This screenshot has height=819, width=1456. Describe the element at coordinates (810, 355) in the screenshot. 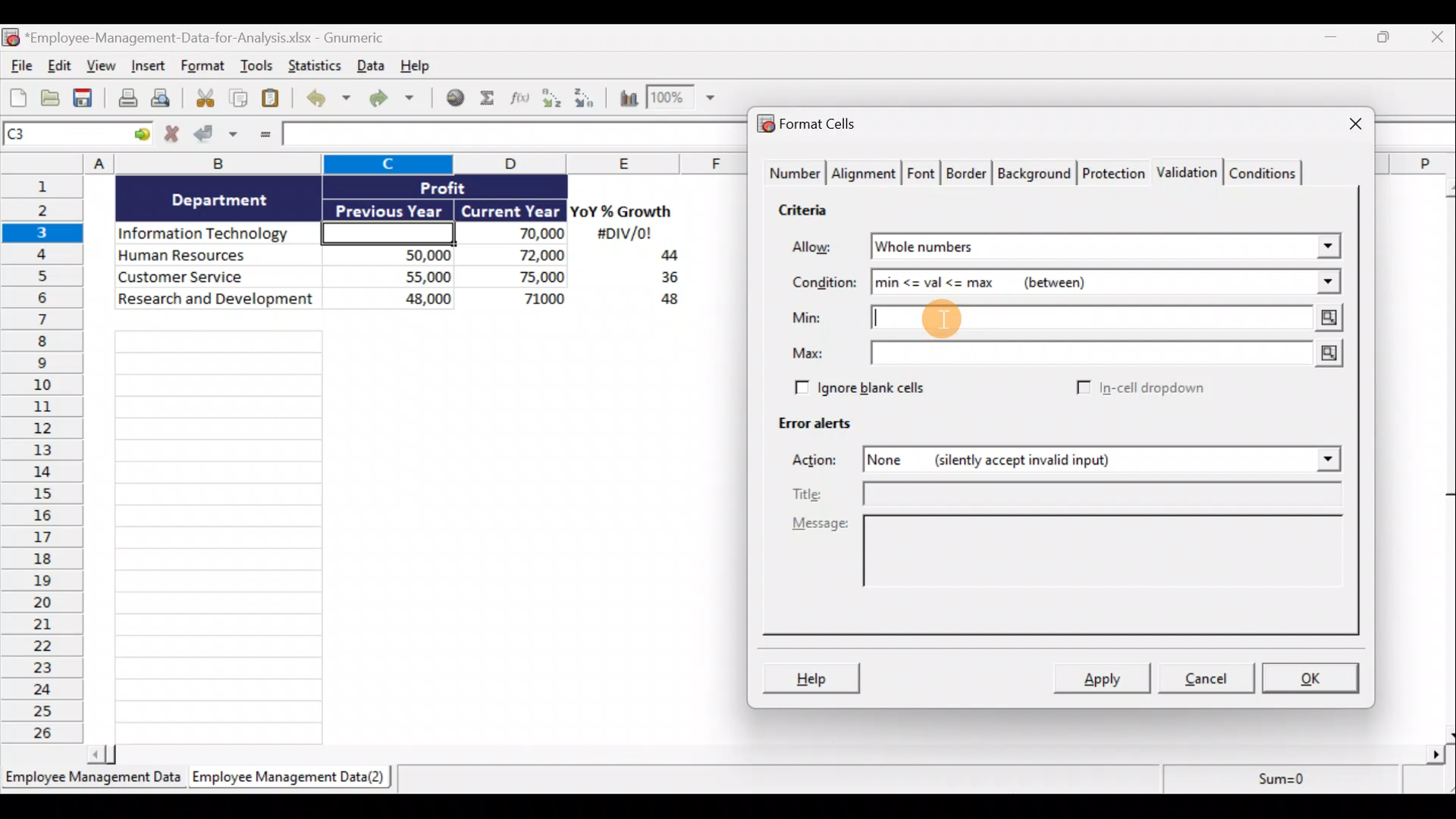

I see `Max:` at that location.